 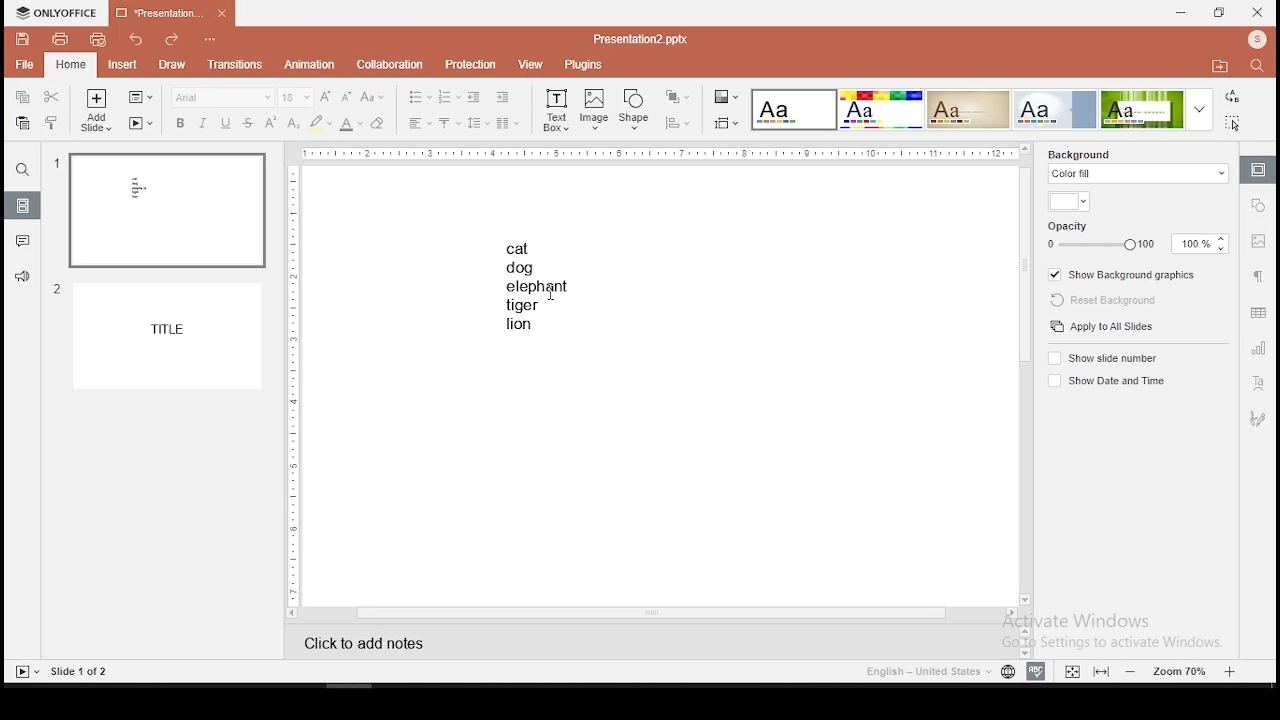 What do you see at coordinates (660, 153) in the screenshot?
I see `horizontal scale` at bounding box center [660, 153].